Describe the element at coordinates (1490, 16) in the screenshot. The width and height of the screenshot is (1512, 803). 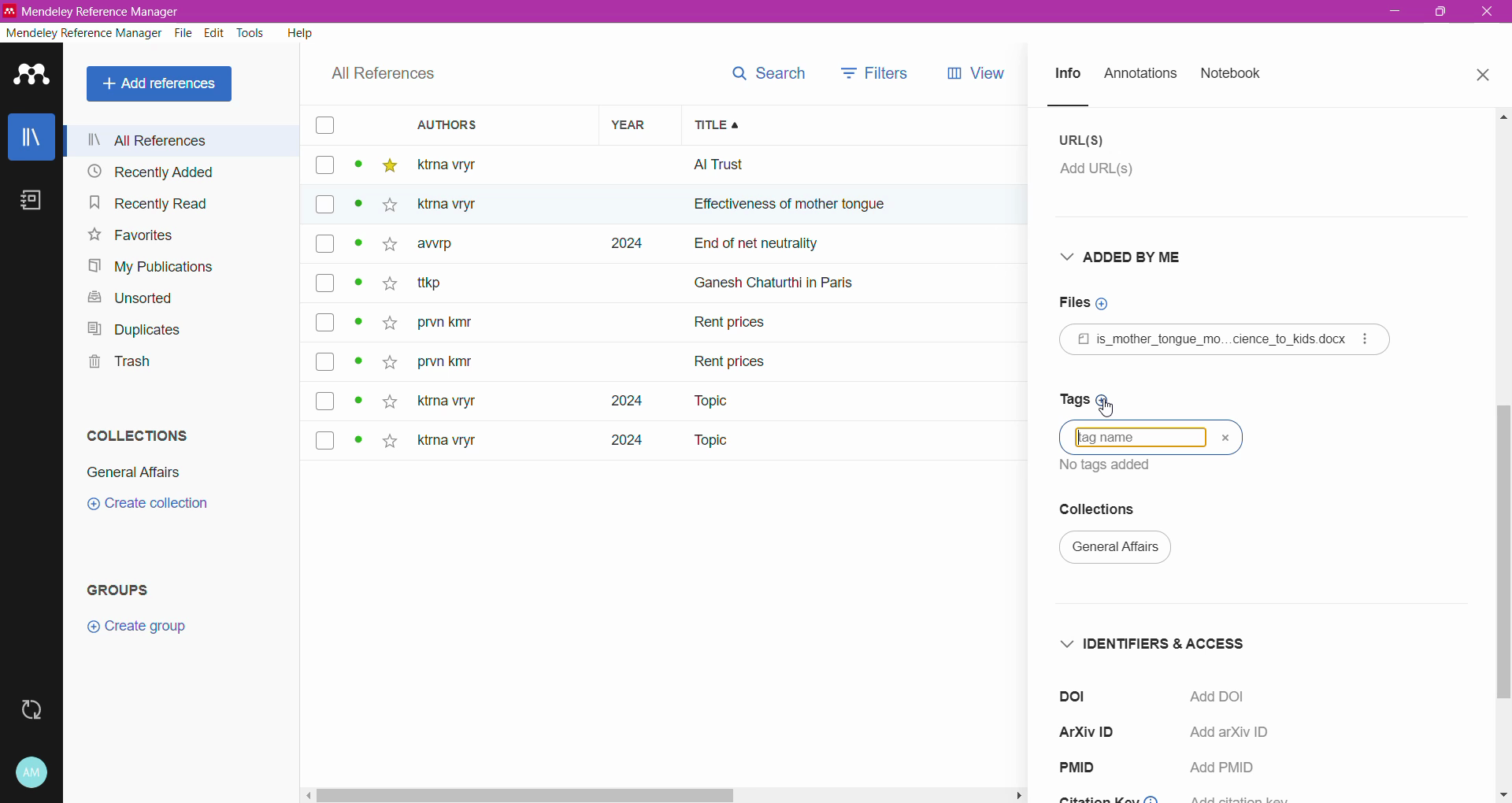
I see `exit` at that location.